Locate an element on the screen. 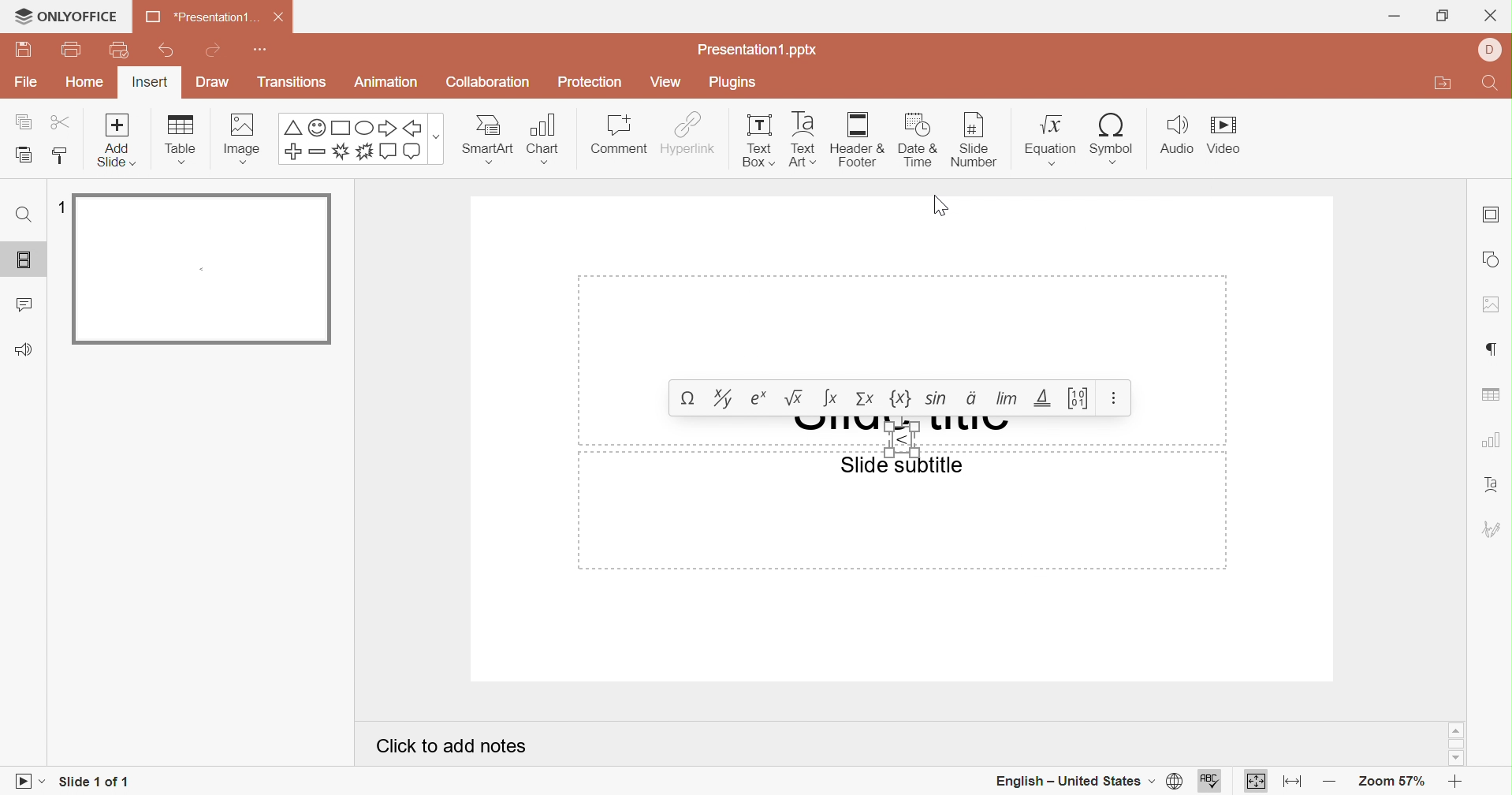 The height and width of the screenshot is (795, 1512). Slide is located at coordinates (203, 271).